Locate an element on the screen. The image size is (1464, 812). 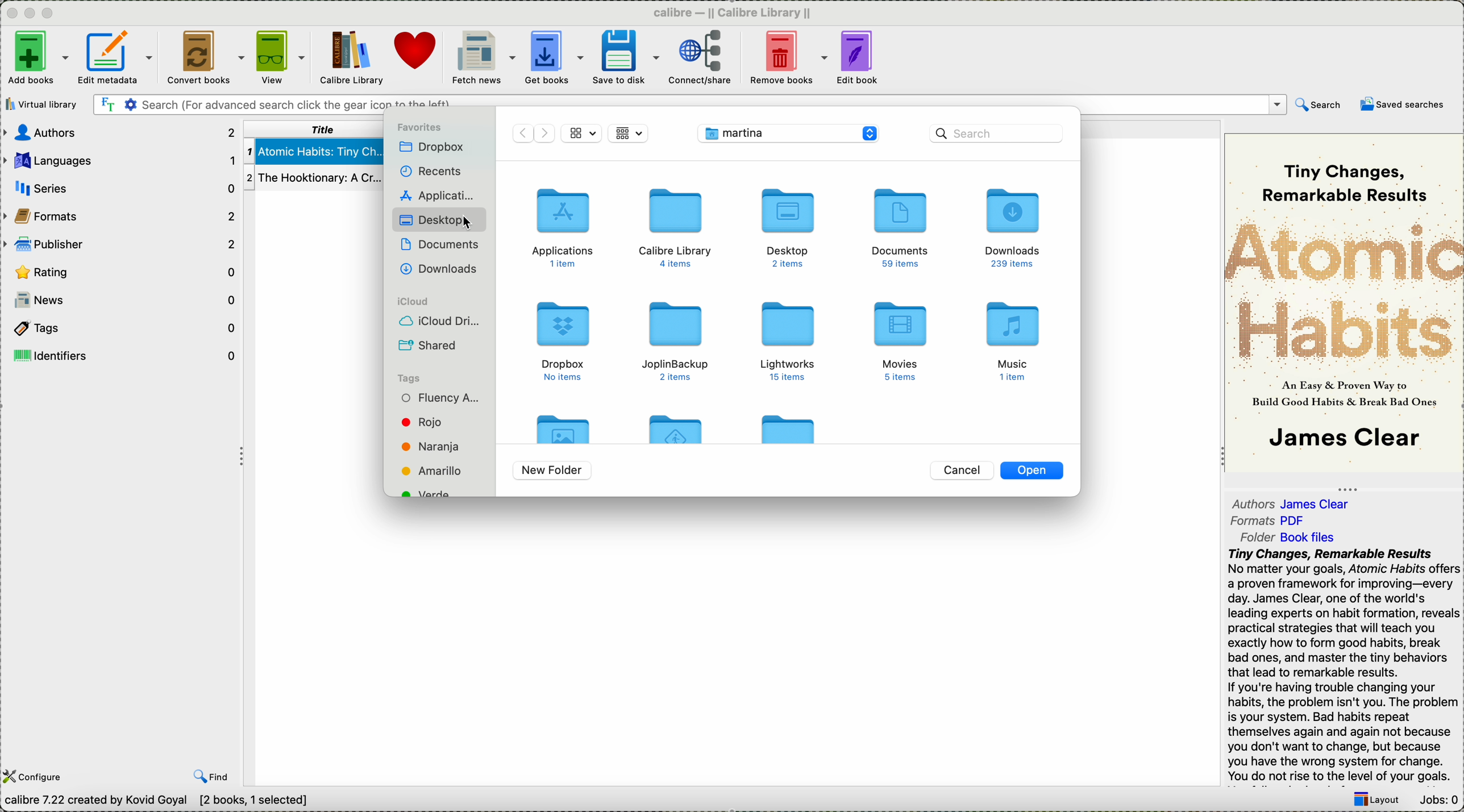
tag is located at coordinates (428, 493).